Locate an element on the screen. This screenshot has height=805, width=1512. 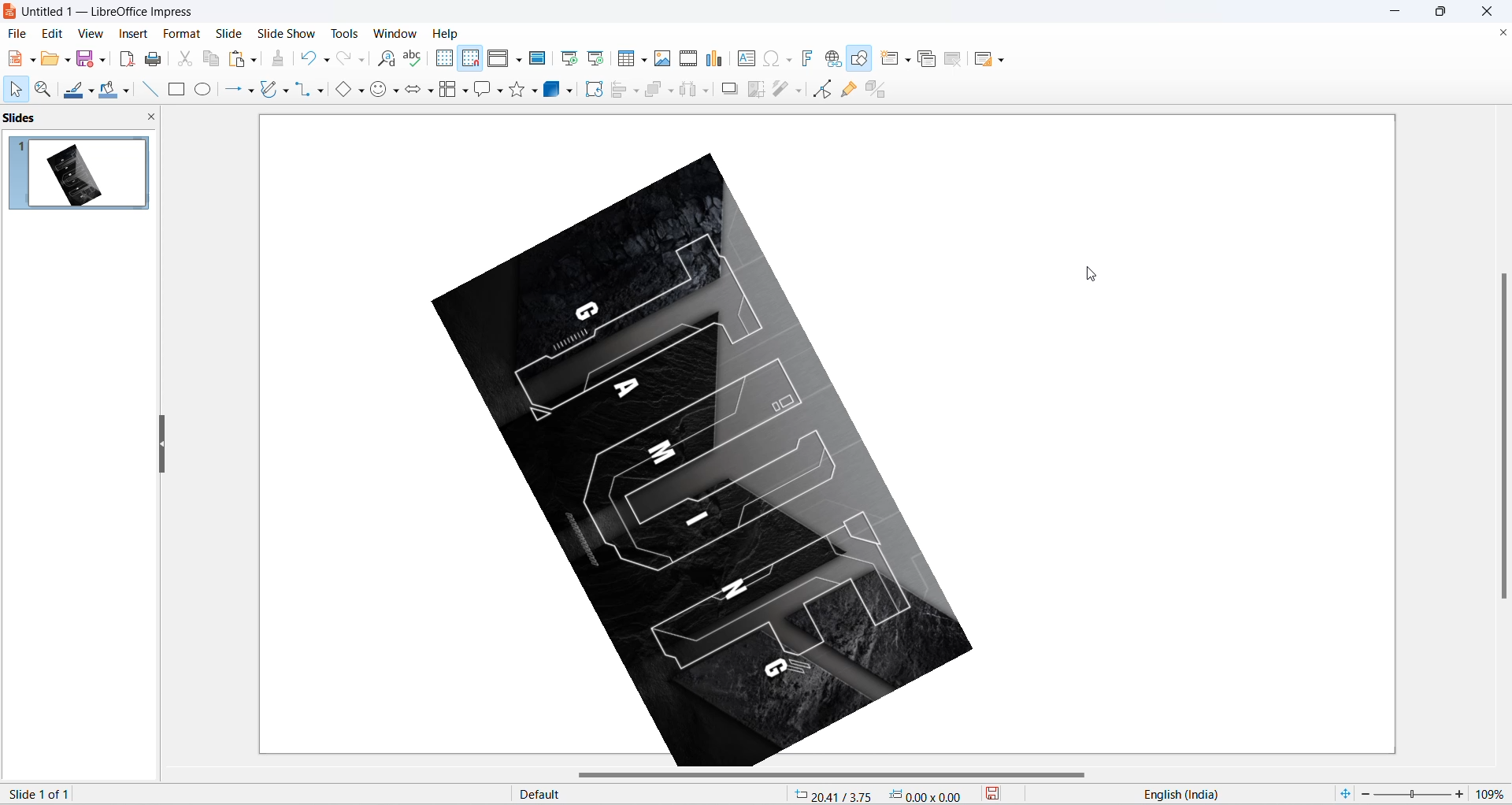
view is located at coordinates (89, 33).